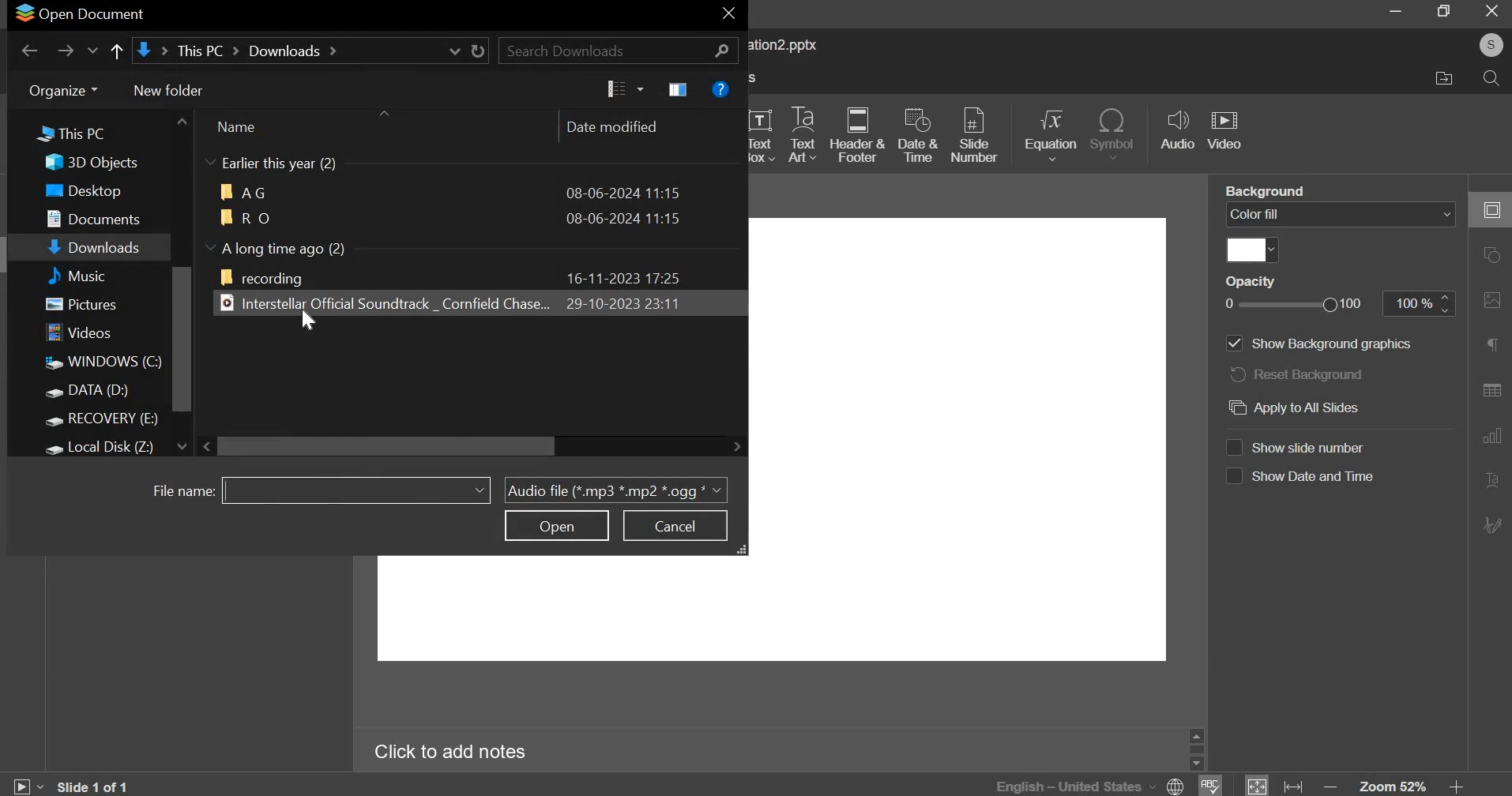 The image size is (1512, 796). I want to click on cursor, so click(307, 320).